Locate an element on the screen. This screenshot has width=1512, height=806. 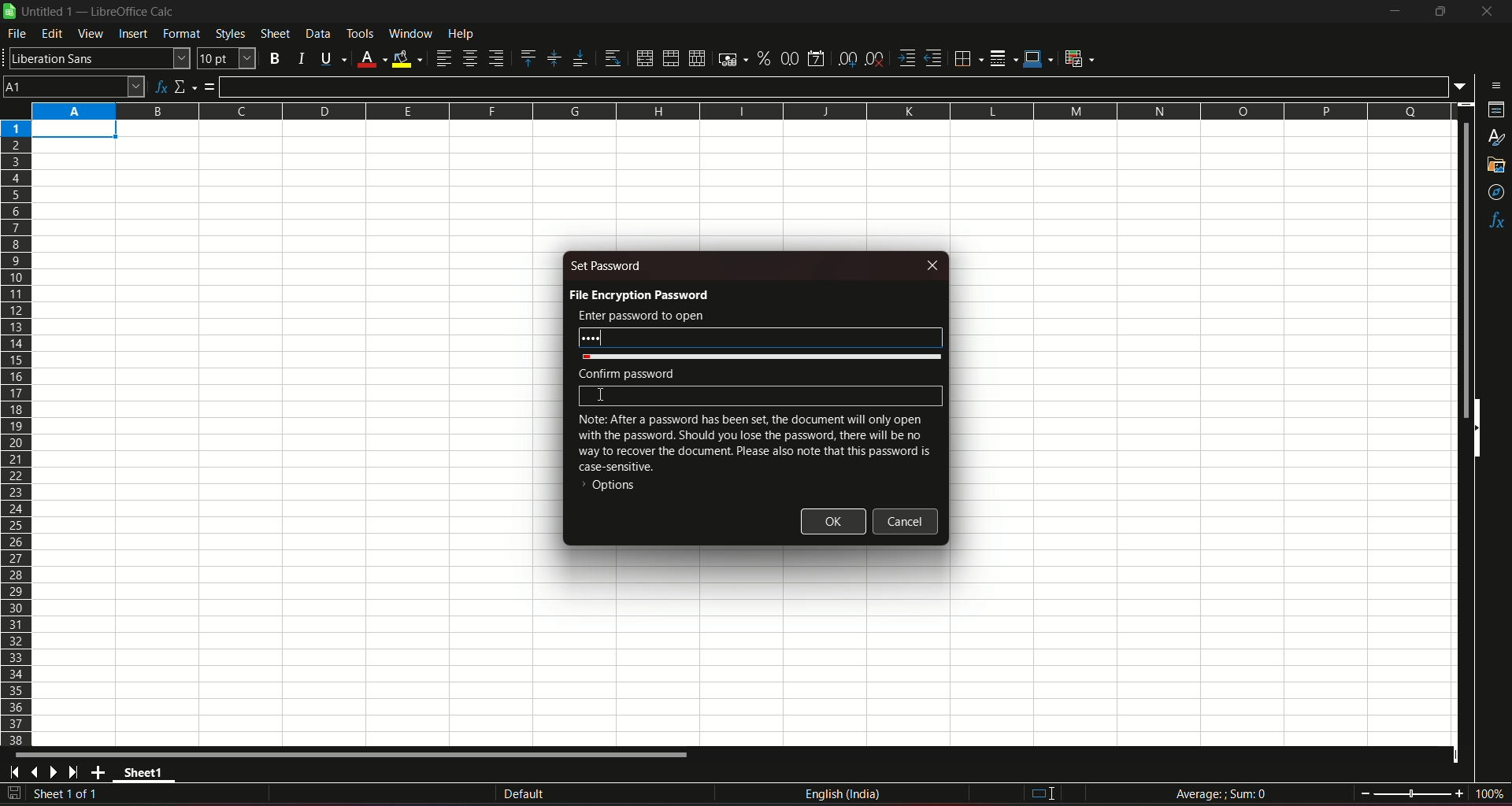
decrease indent is located at coordinates (934, 59).